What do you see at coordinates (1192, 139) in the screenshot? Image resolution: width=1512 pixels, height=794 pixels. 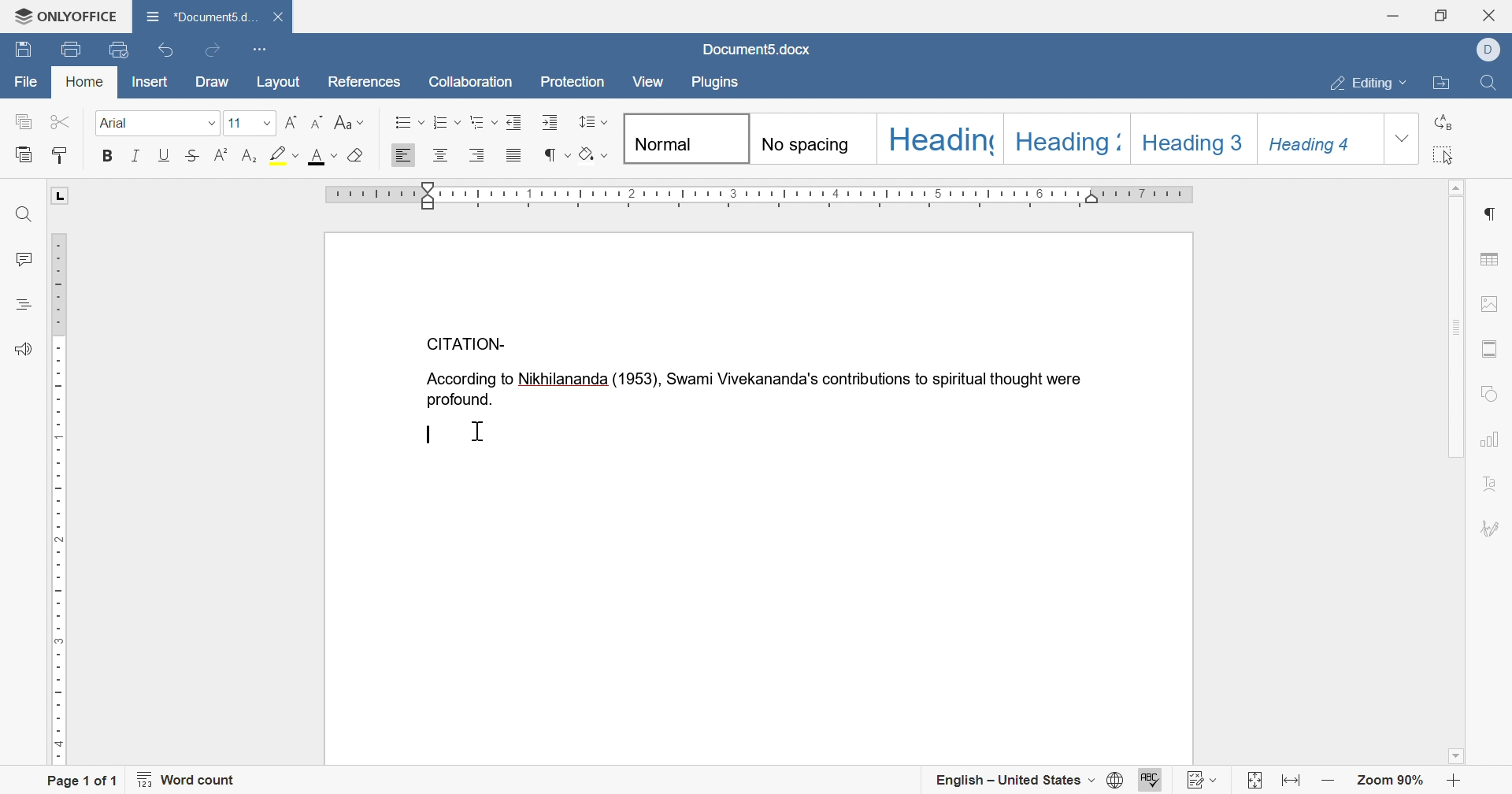 I see `Heading 3` at bounding box center [1192, 139].